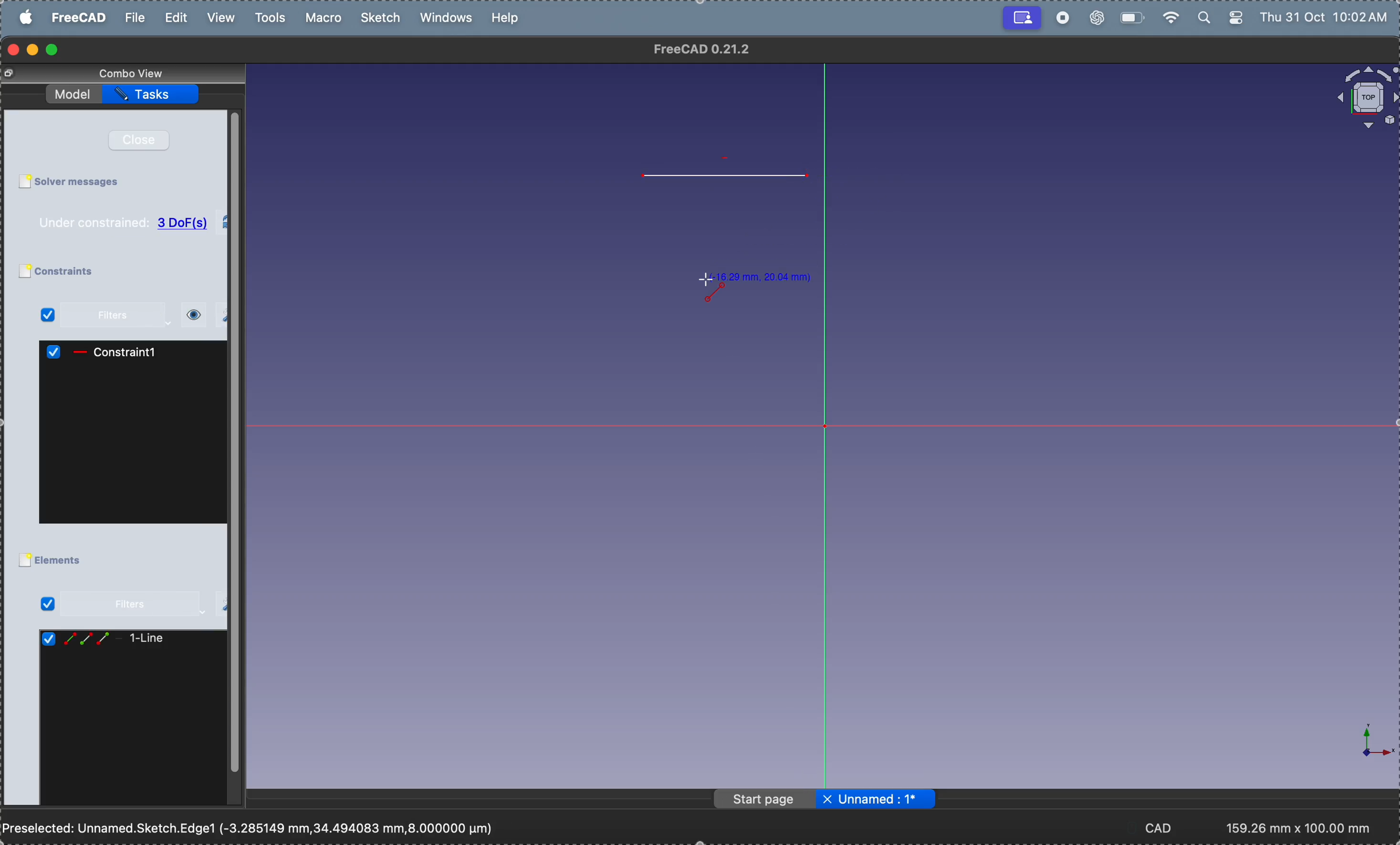 The height and width of the screenshot is (845, 1400). What do you see at coordinates (813, 177) in the screenshot?
I see `point 2` at bounding box center [813, 177].